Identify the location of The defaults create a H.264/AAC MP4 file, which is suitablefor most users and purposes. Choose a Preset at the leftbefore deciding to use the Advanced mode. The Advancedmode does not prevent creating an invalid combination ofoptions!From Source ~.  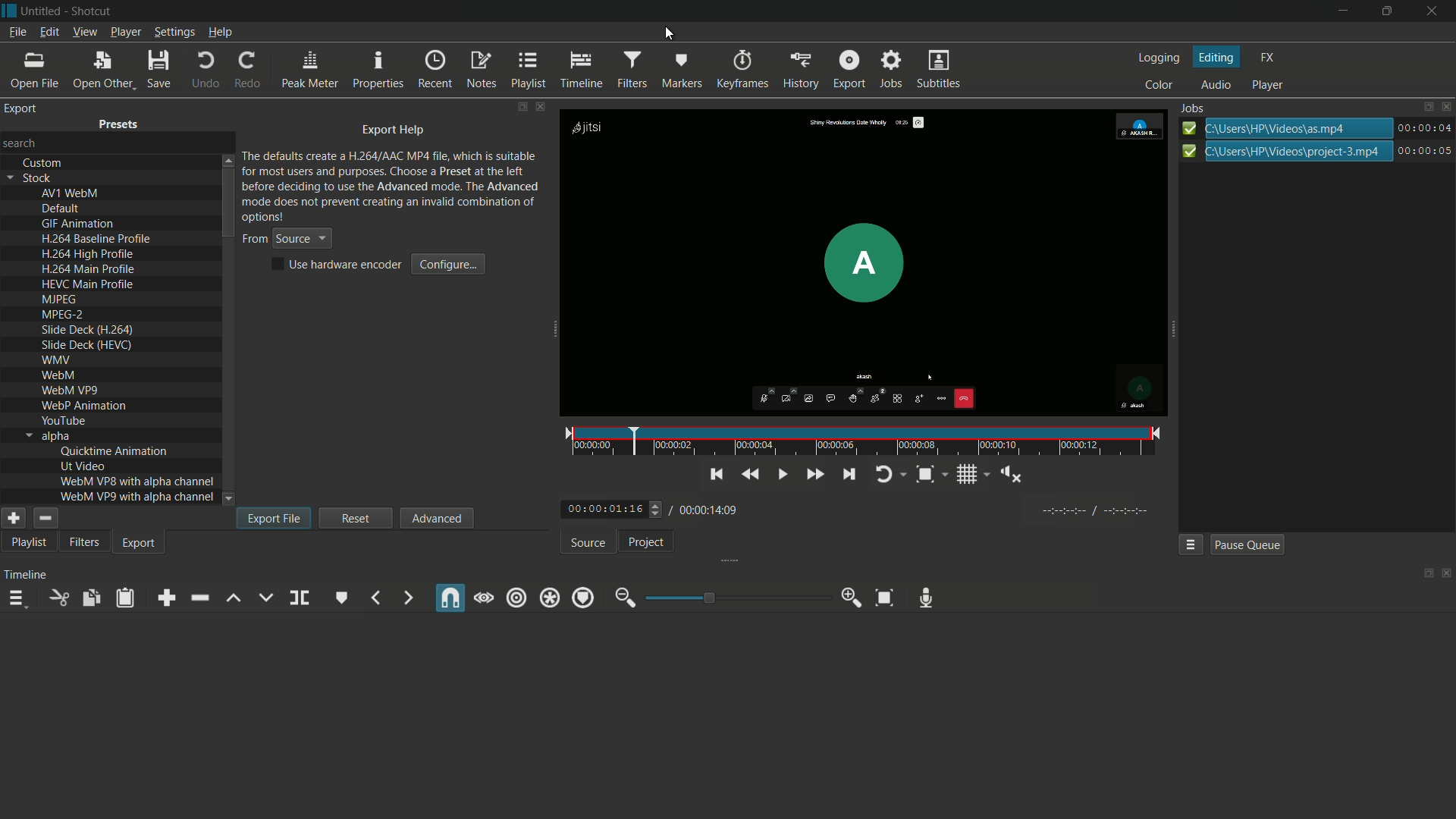
(396, 199).